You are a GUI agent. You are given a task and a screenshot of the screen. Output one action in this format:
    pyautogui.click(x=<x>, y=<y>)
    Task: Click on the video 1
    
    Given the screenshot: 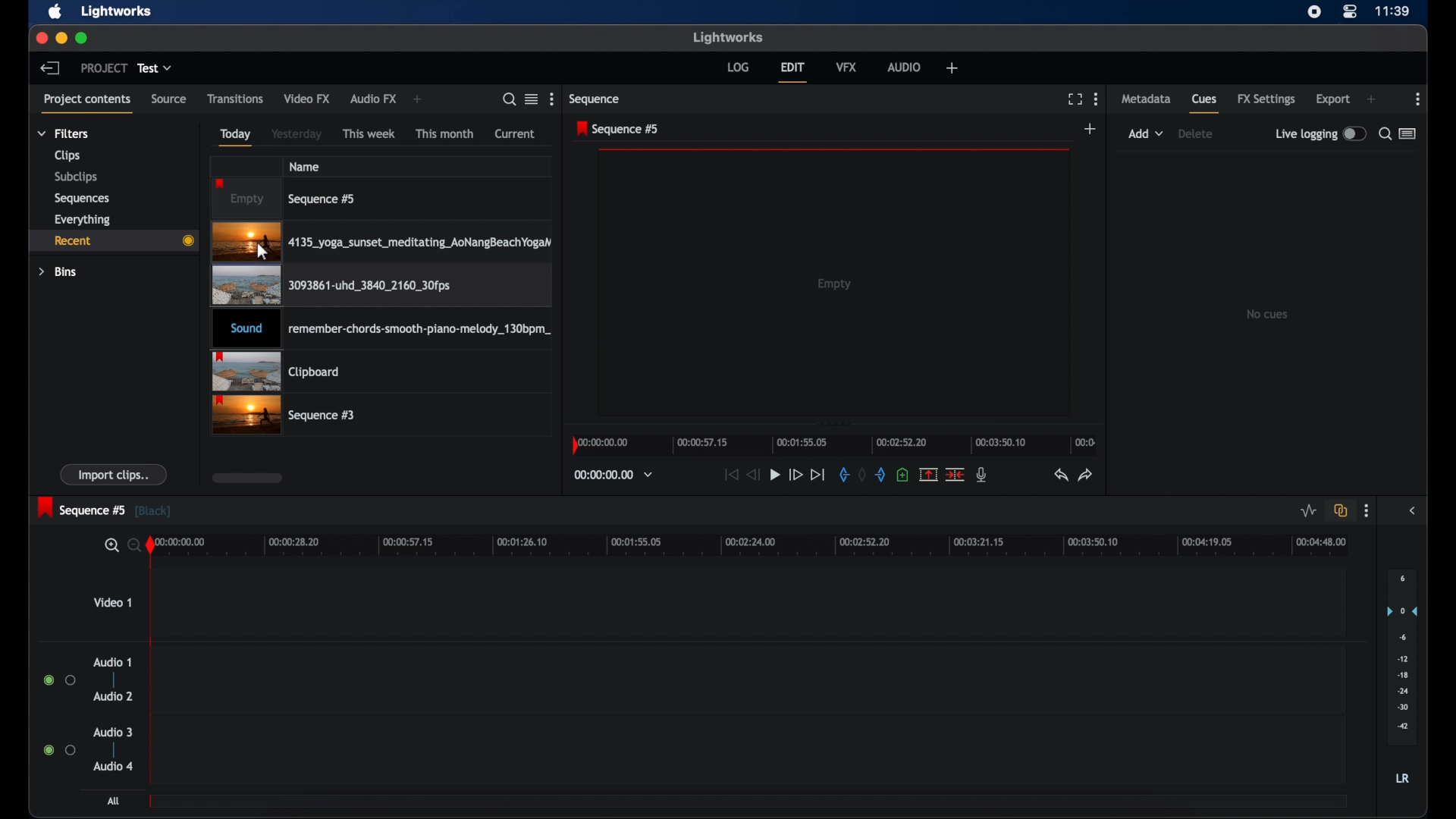 What is the action you would take?
    pyautogui.click(x=115, y=602)
    